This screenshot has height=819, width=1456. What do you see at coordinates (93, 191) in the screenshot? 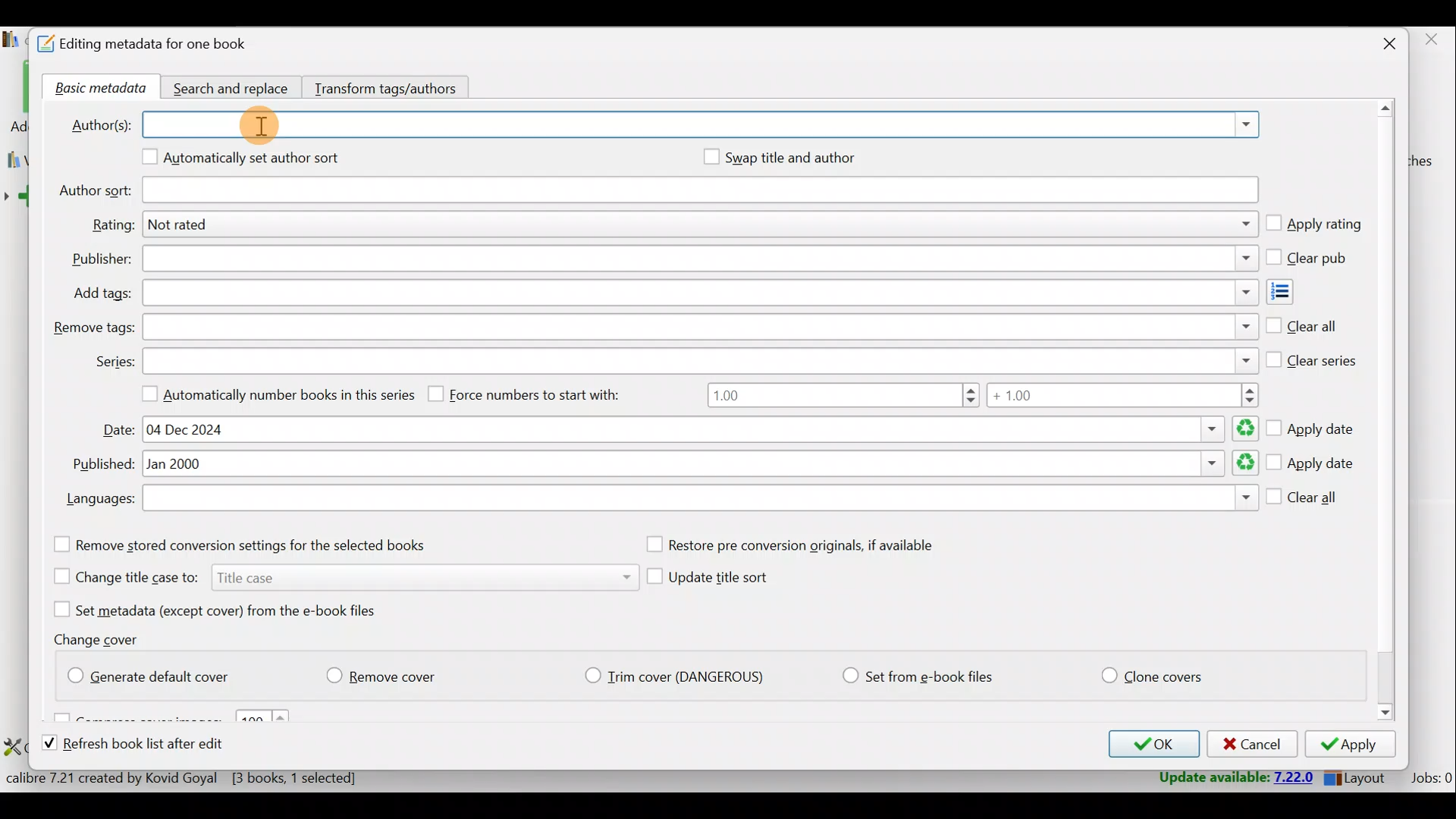
I see `Author sort:` at bounding box center [93, 191].